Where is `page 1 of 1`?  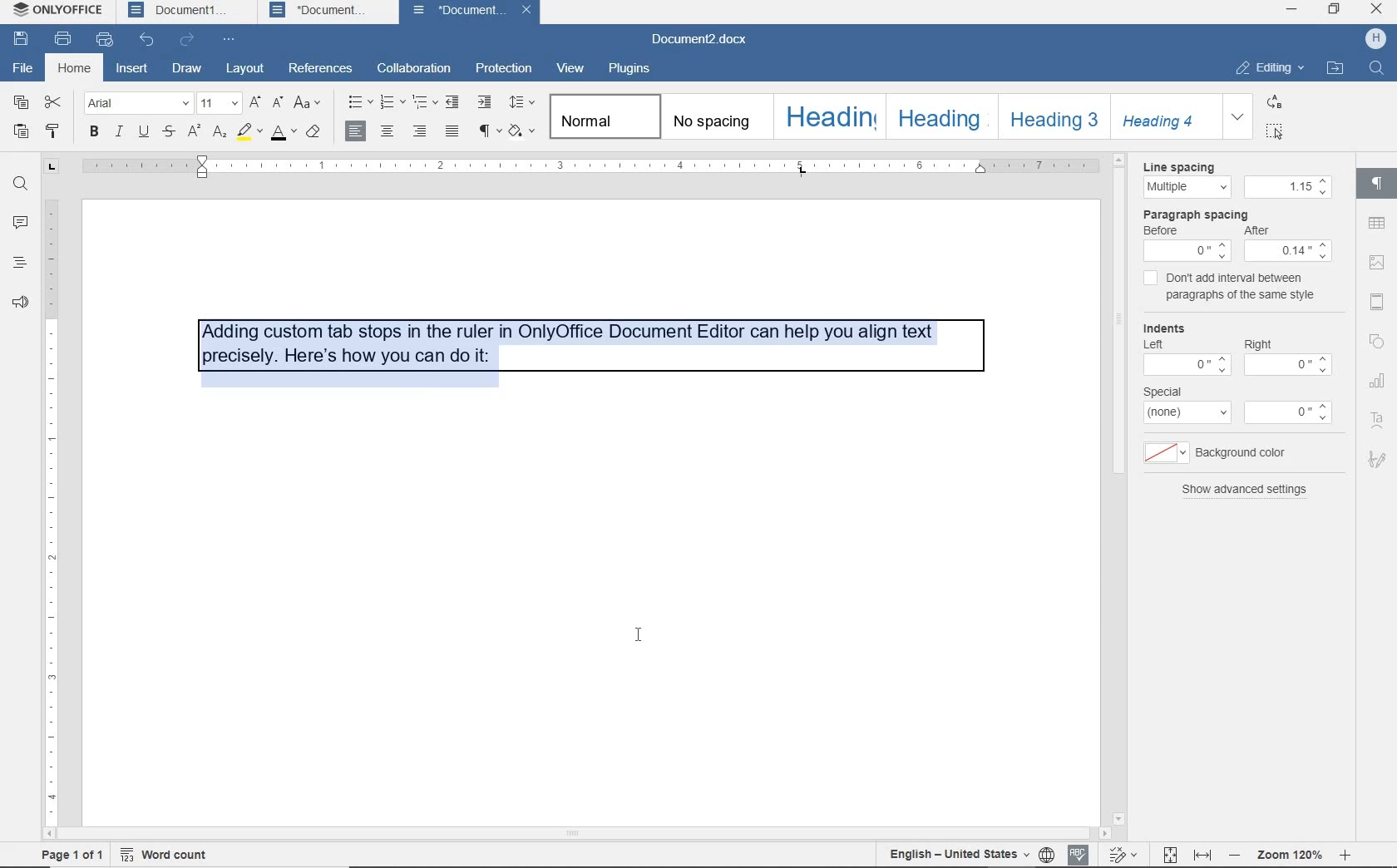
page 1 of 1 is located at coordinates (71, 855).